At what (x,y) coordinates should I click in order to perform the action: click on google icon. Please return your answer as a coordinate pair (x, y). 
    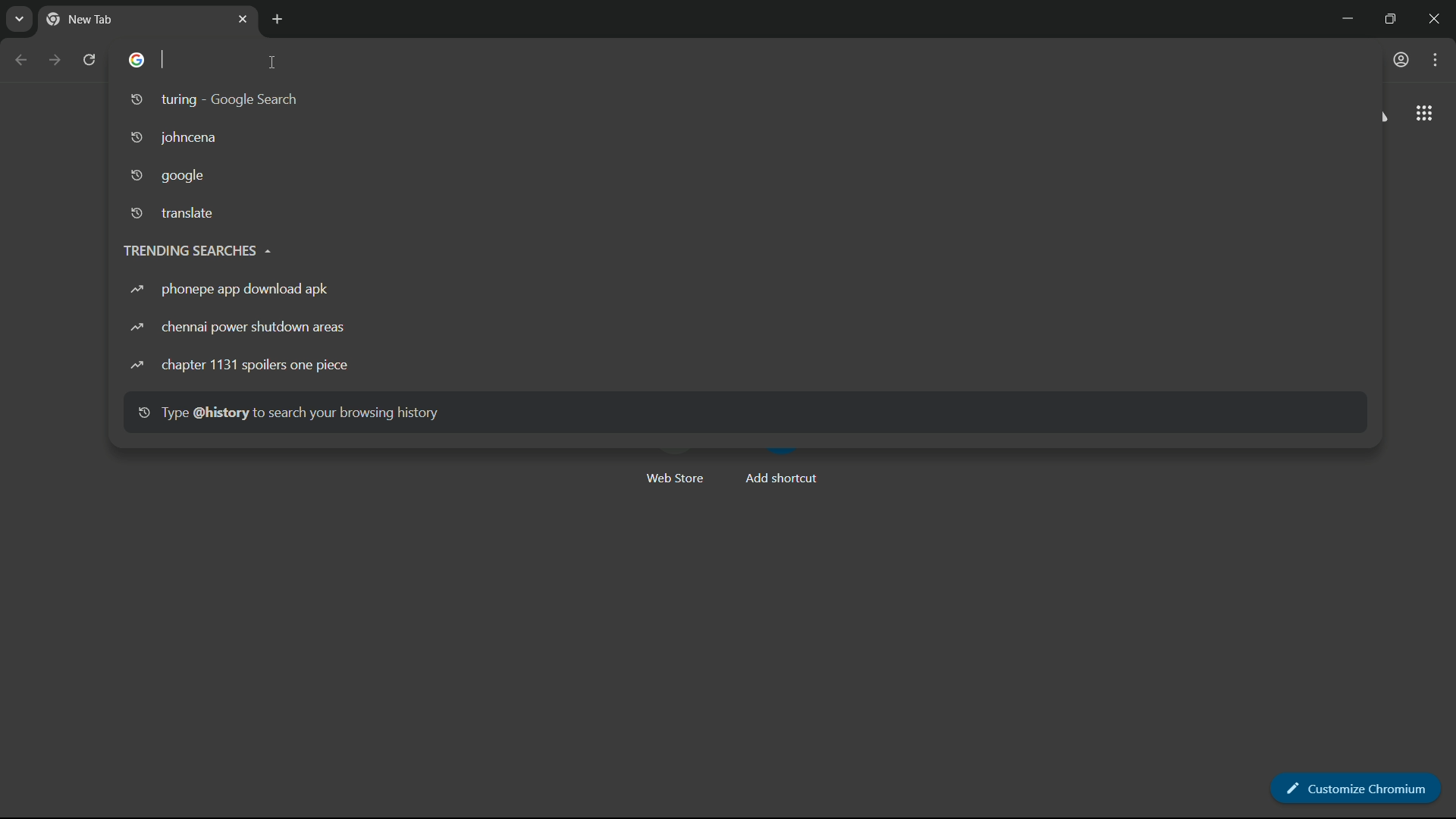
    Looking at the image, I should click on (142, 60).